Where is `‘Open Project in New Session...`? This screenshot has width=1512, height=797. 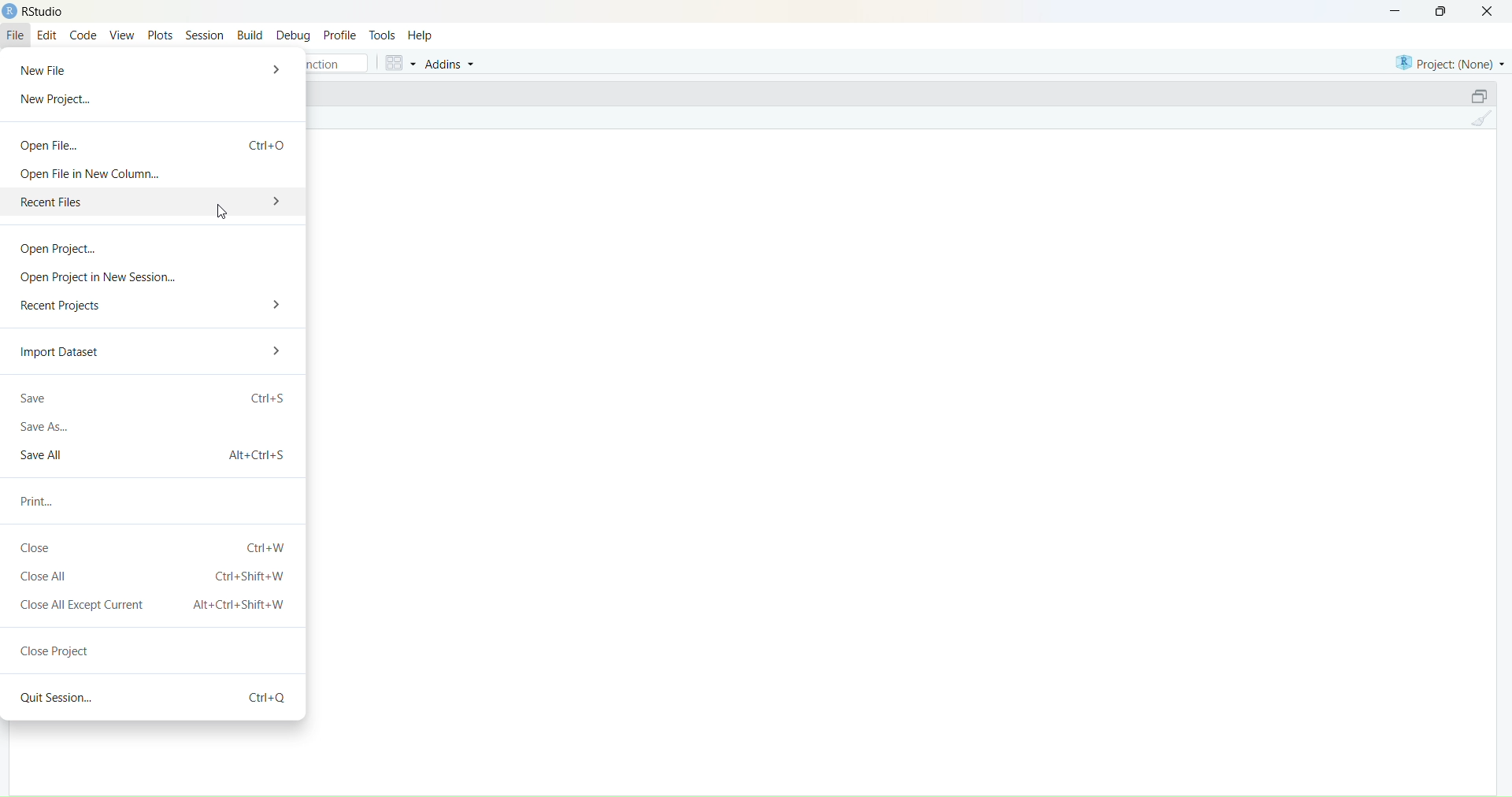 ‘Open Project in New Session... is located at coordinates (101, 276).